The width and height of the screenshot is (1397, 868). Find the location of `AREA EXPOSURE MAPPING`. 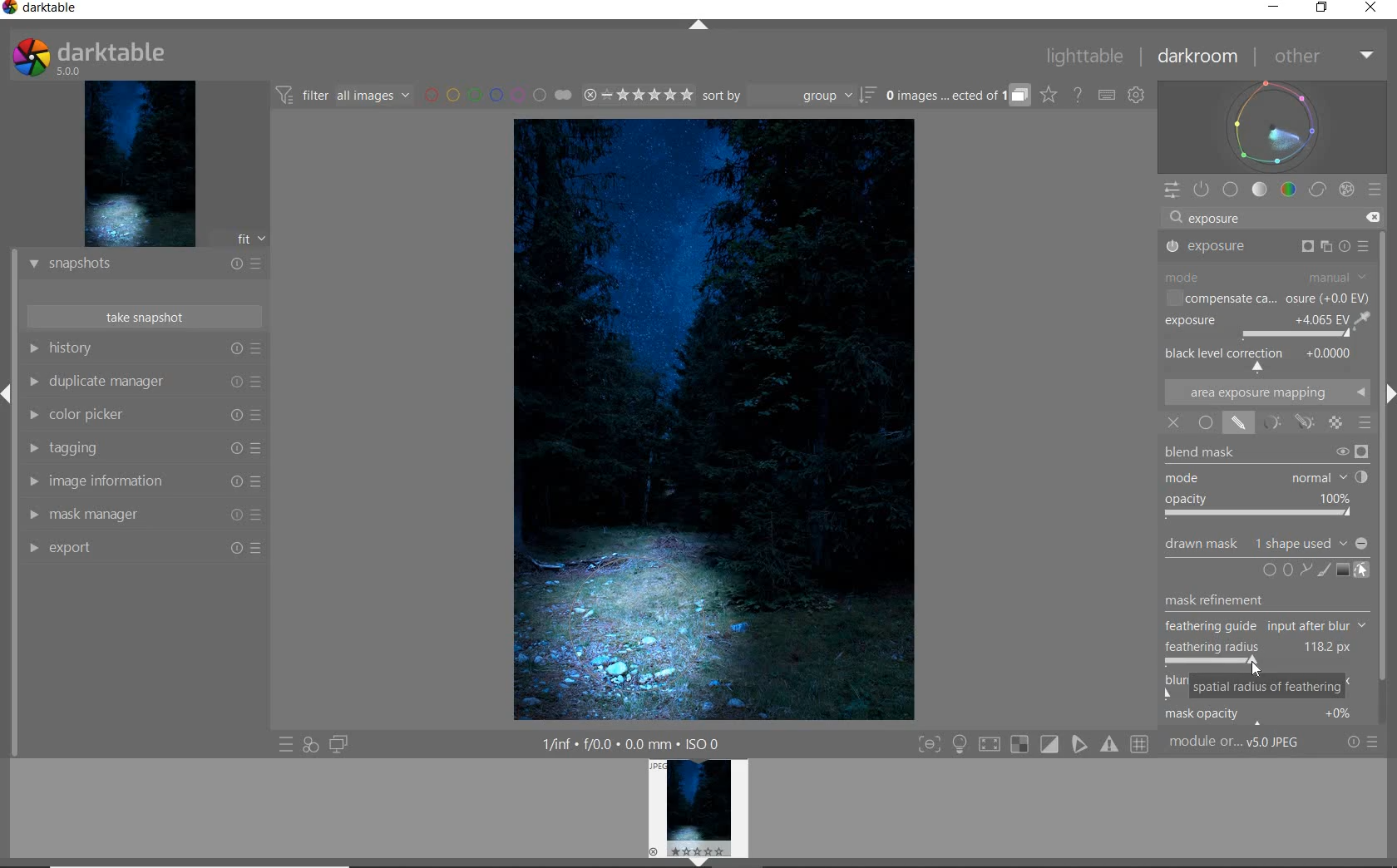

AREA EXPOSURE MAPPING is located at coordinates (1266, 391).